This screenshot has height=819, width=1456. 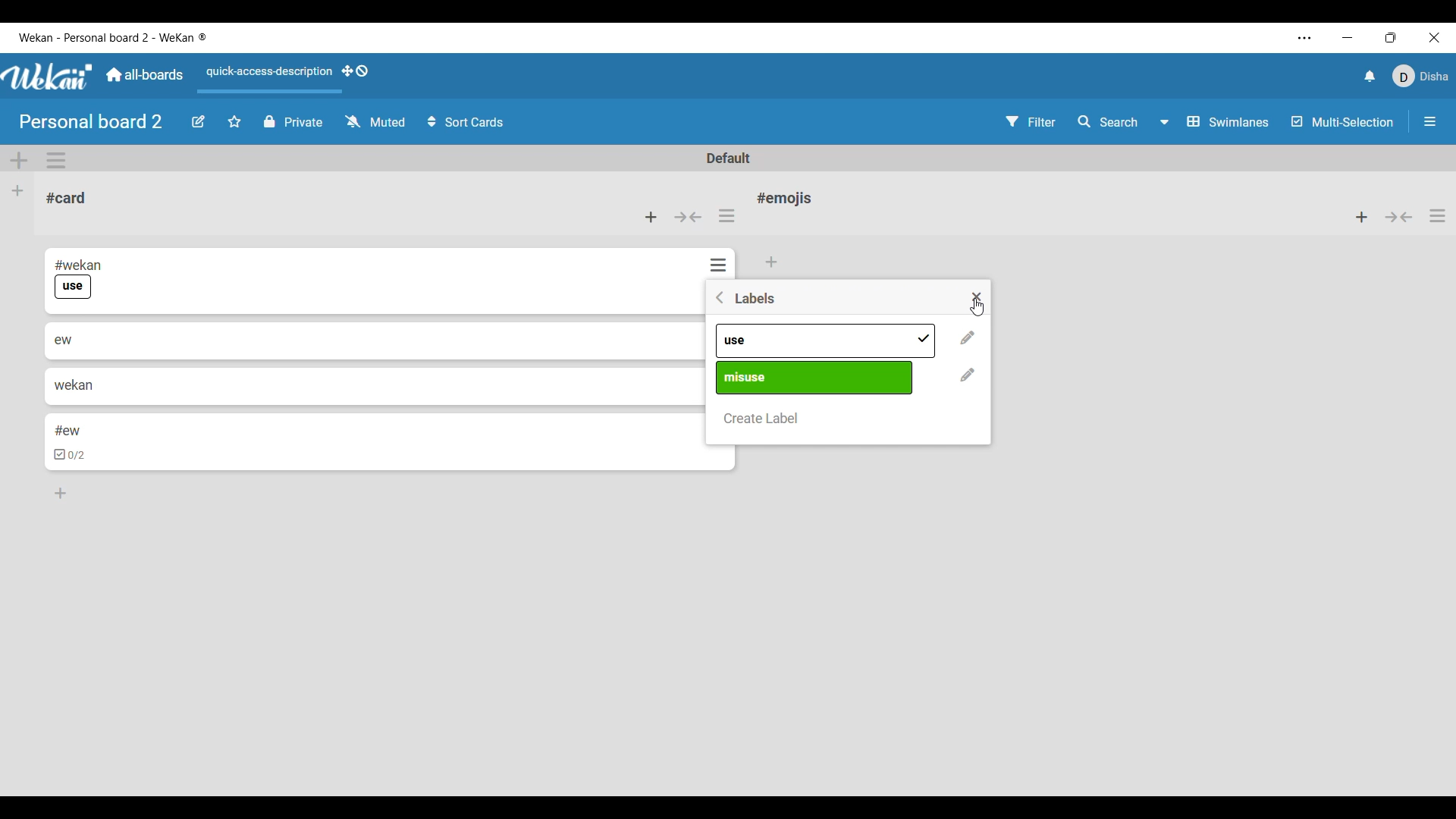 What do you see at coordinates (267, 72) in the screenshot?
I see `Quick access description` at bounding box center [267, 72].